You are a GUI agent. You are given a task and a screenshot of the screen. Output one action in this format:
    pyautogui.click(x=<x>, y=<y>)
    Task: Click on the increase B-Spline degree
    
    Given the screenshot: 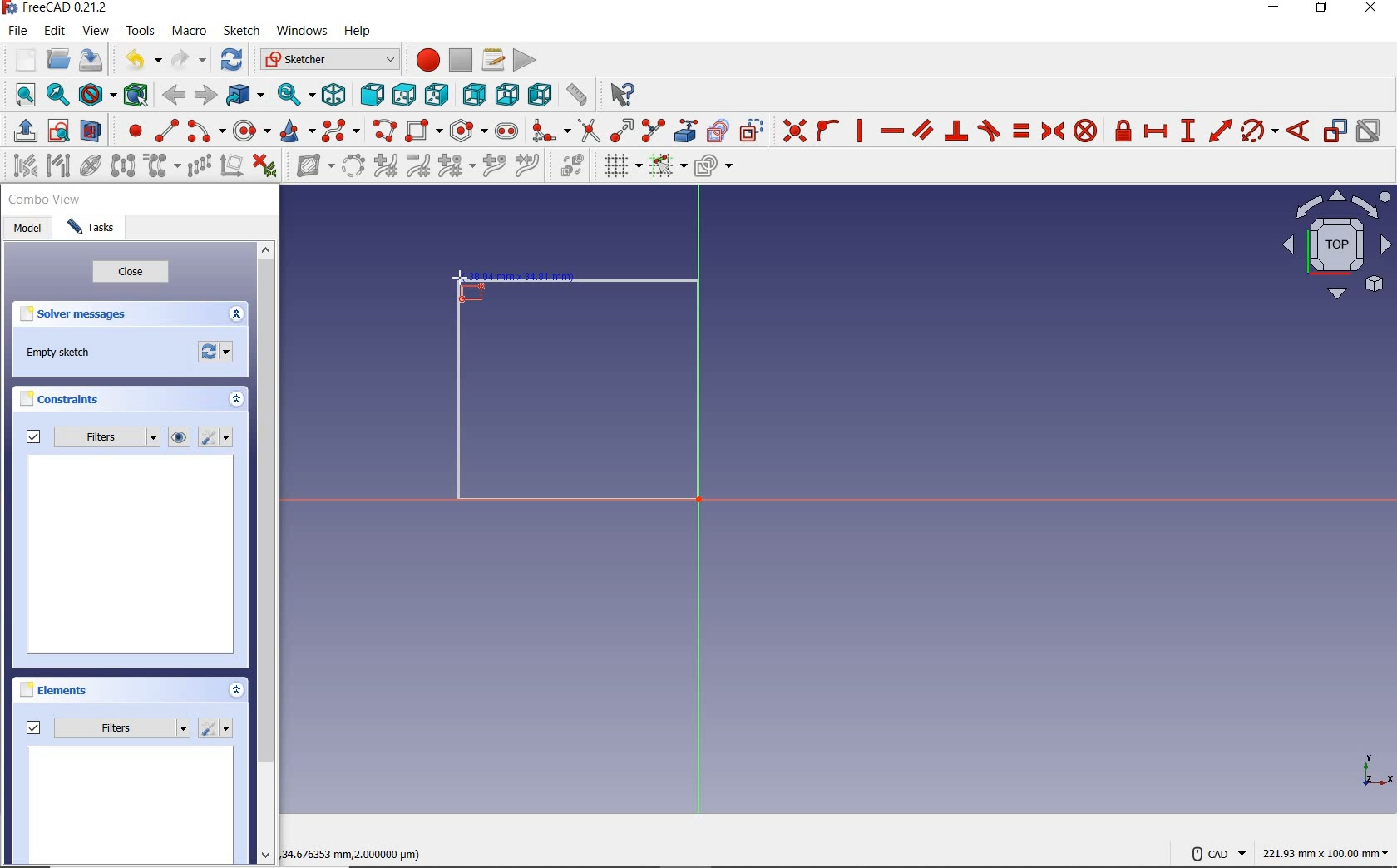 What is the action you would take?
    pyautogui.click(x=491, y=167)
    